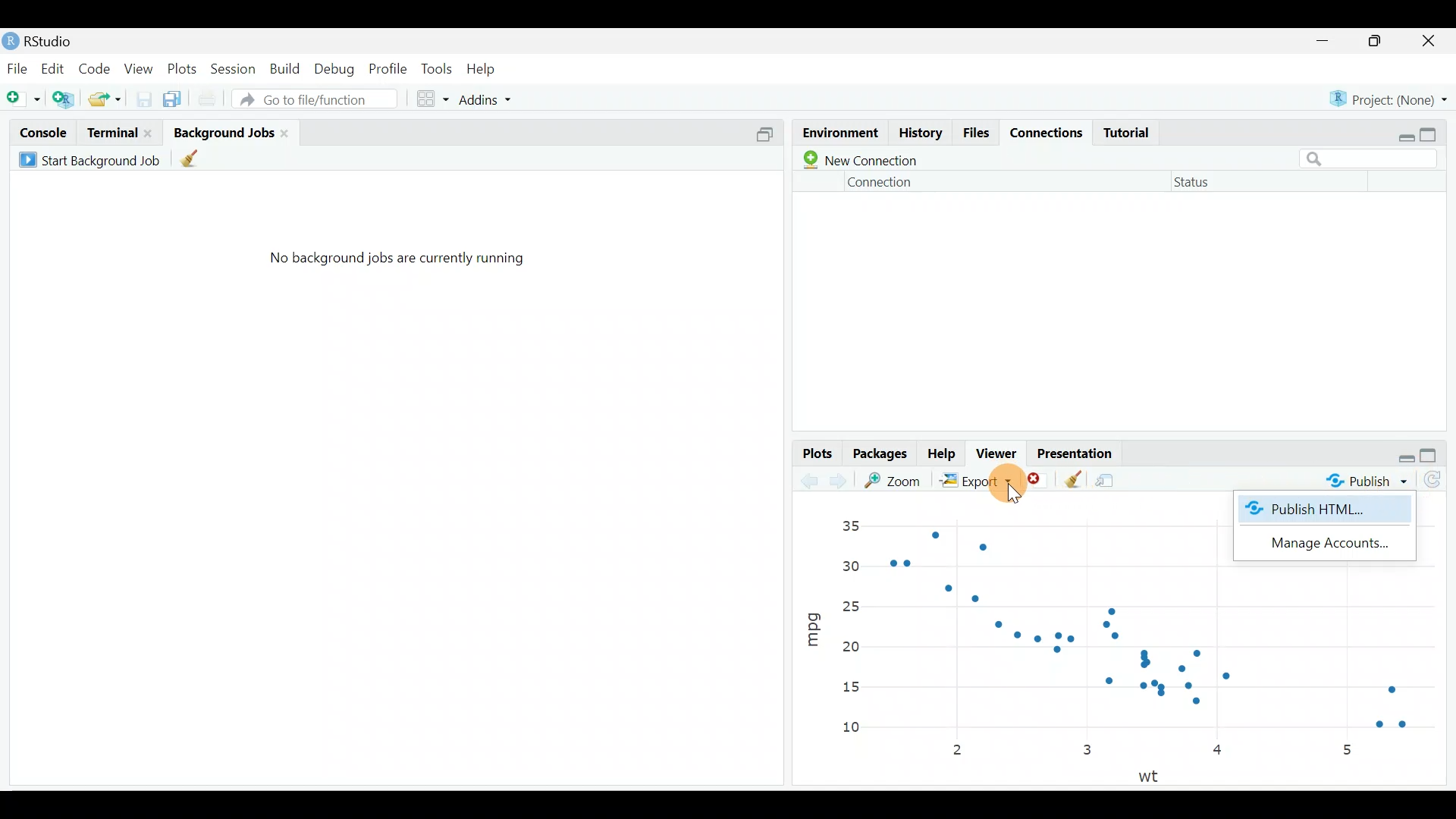 This screenshot has height=819, width=1456. Describe the element at coordinates (488, 67) in the screenshot. I see `Help` at that location.